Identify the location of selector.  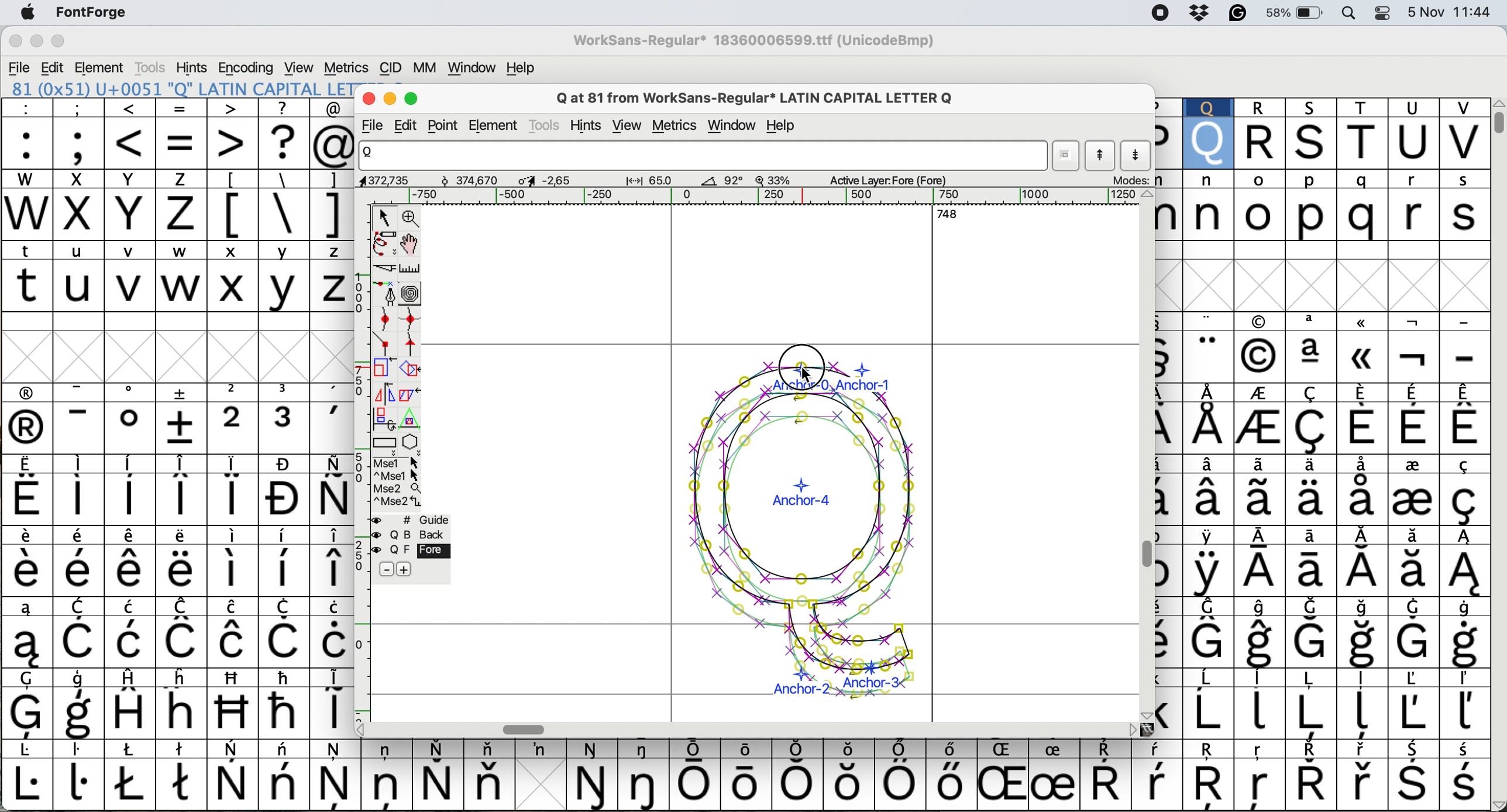
(387, 218).